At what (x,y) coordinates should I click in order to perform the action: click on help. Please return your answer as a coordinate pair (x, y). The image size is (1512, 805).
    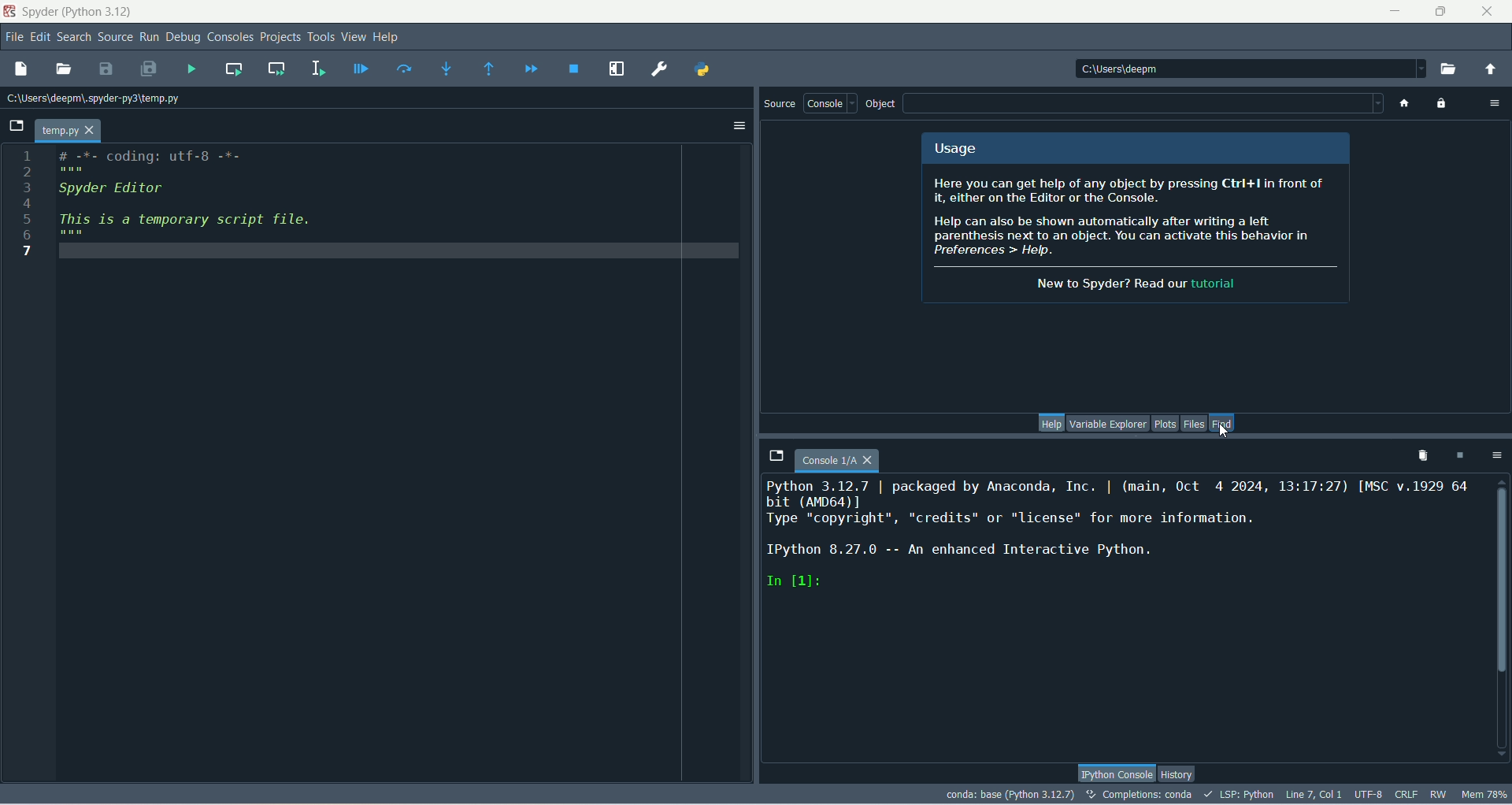
    Looking at the image, I should click on (387, 39).